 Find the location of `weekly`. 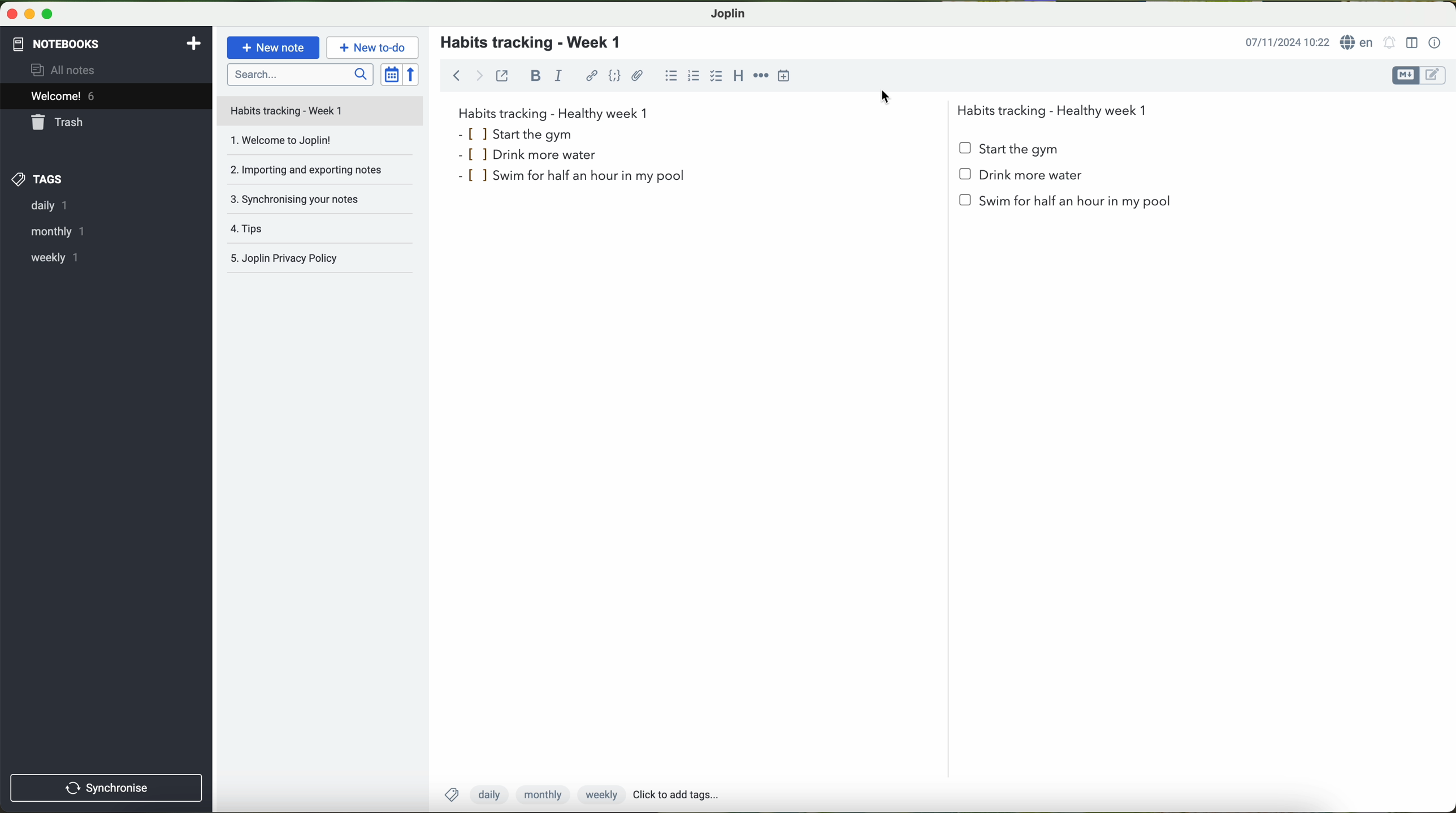

weekly is located at coordinates (599, 795).